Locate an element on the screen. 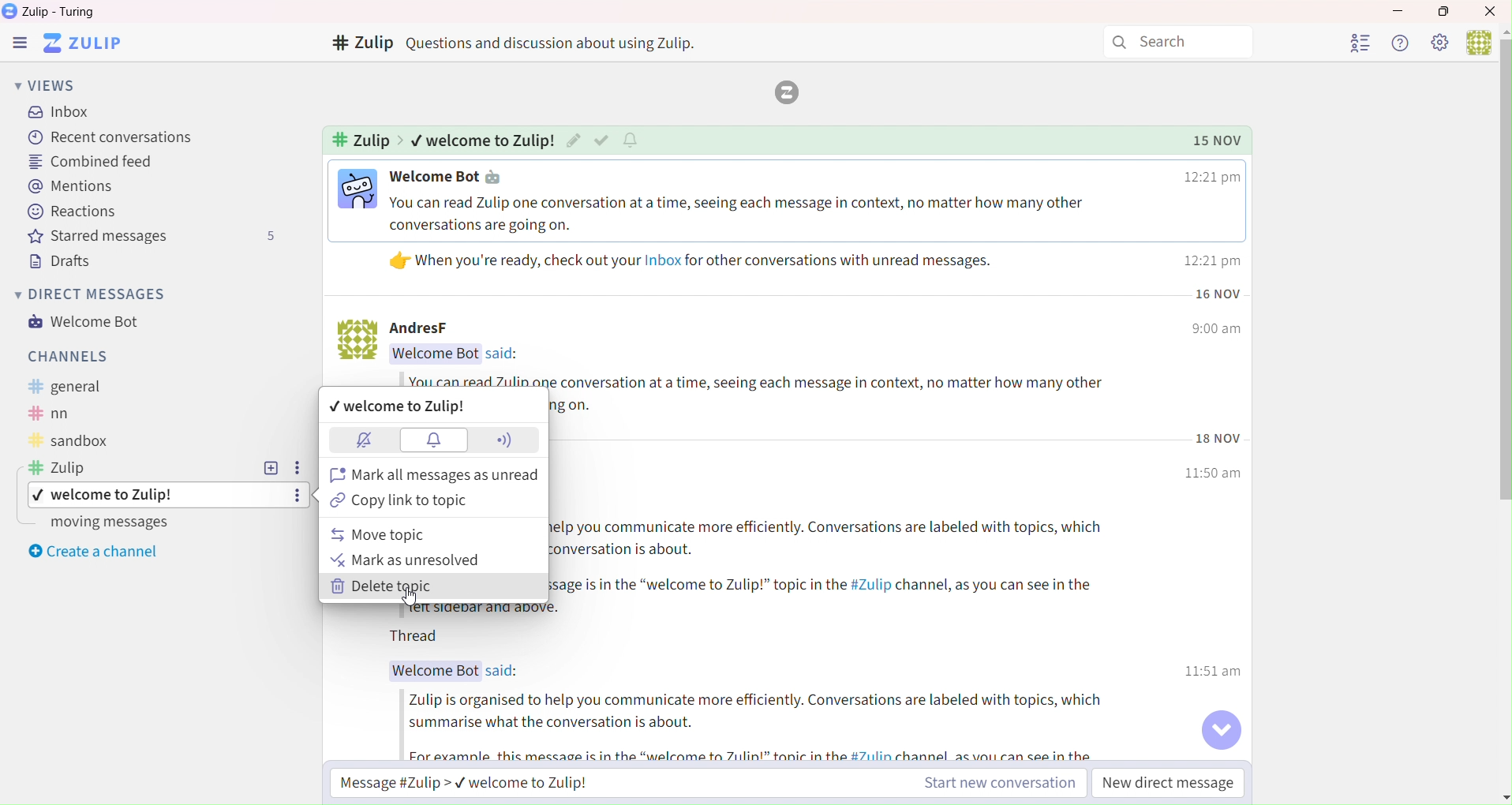  Search is located at coordinates (1177, 43).